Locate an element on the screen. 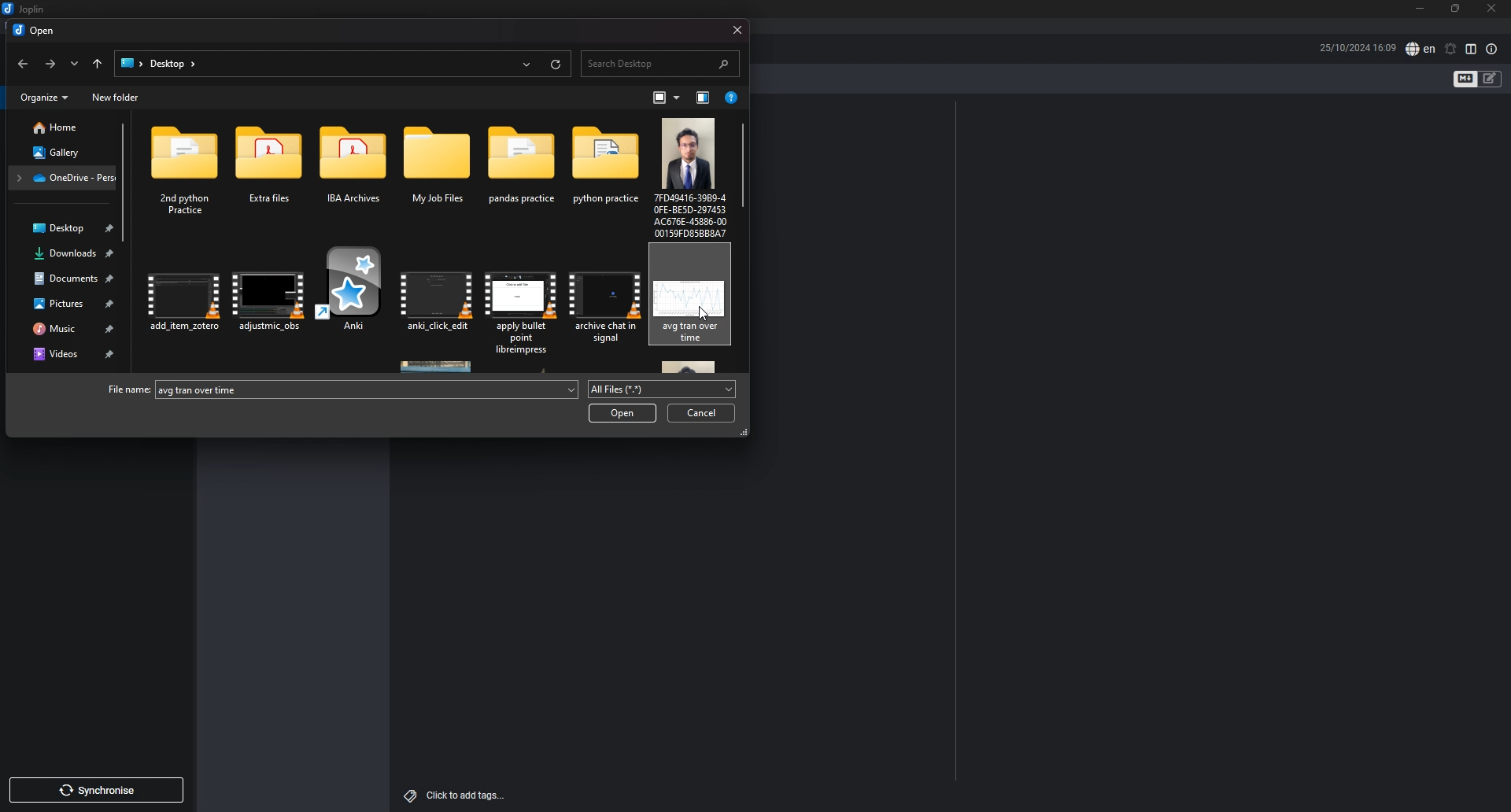  scroll bar is located at coordinates (127, 183).